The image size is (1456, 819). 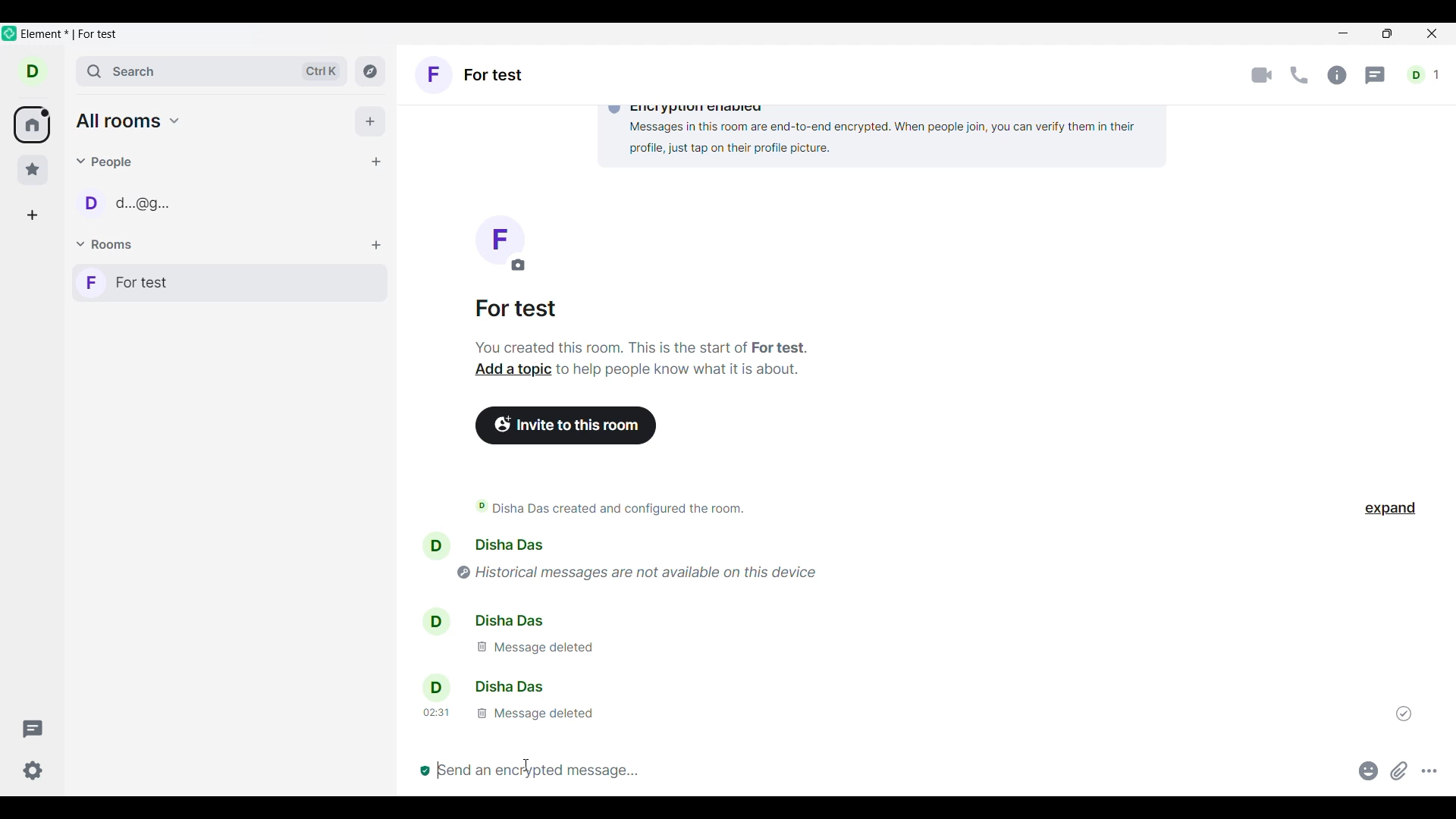 I want to click on Click to expand, so click(x=1390, y=509).